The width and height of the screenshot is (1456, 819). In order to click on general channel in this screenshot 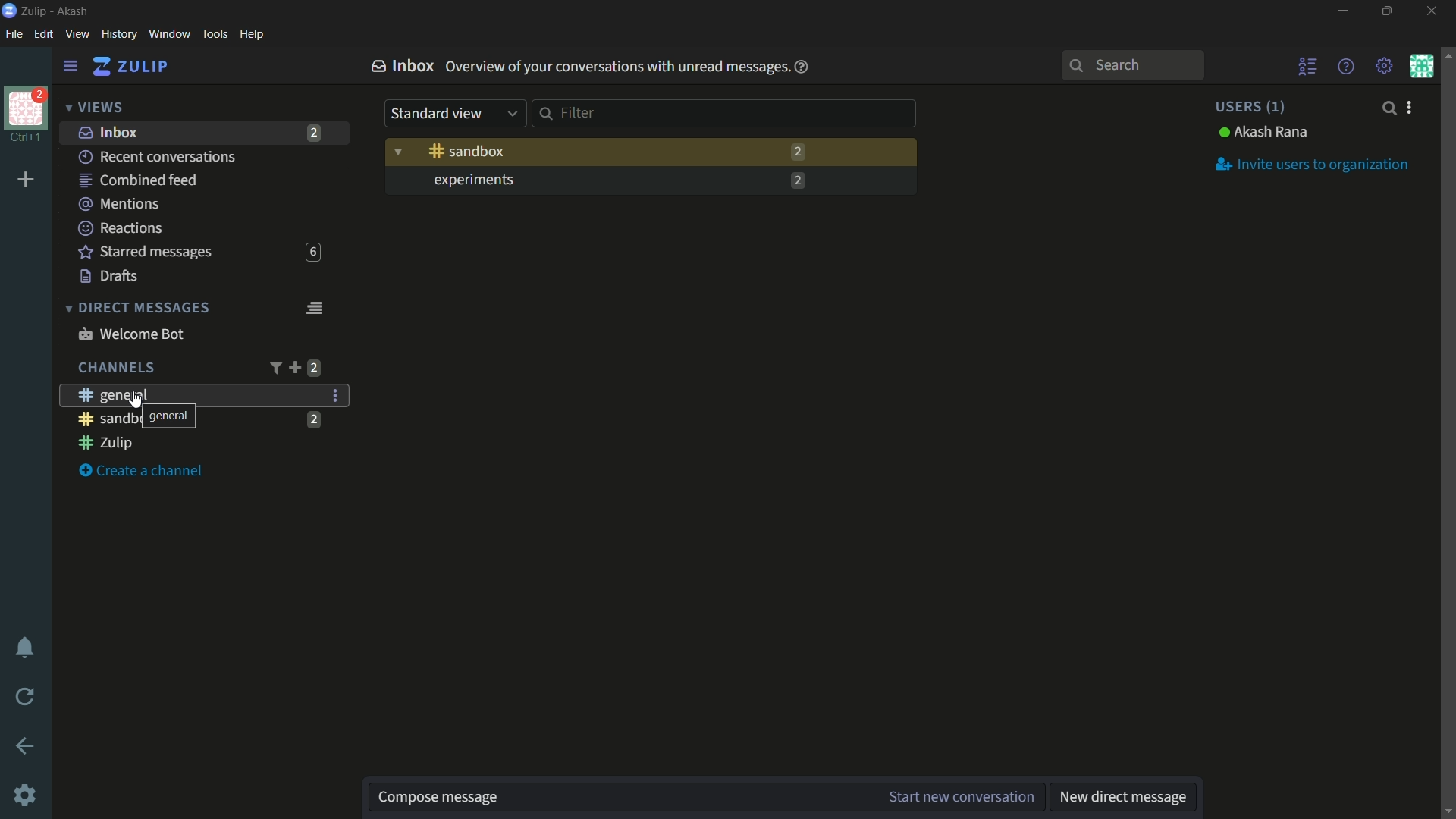, I will do `click(111, 394)`.